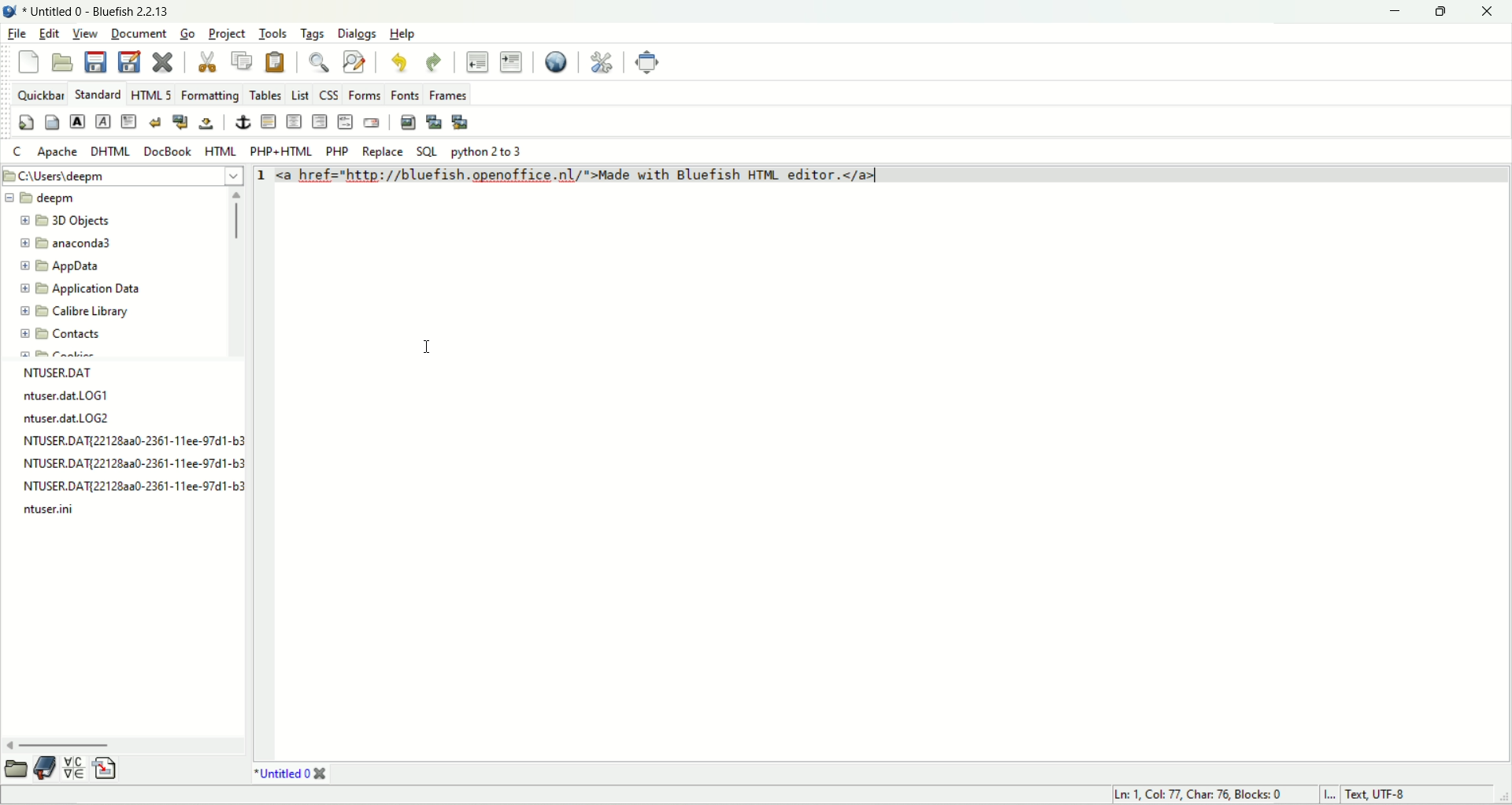 The height and width of the screenshot is (805, 1512). What do you see at coordinates (58, 337) in the screenshot?
I see `contacts` at bounding box center [58, 337].